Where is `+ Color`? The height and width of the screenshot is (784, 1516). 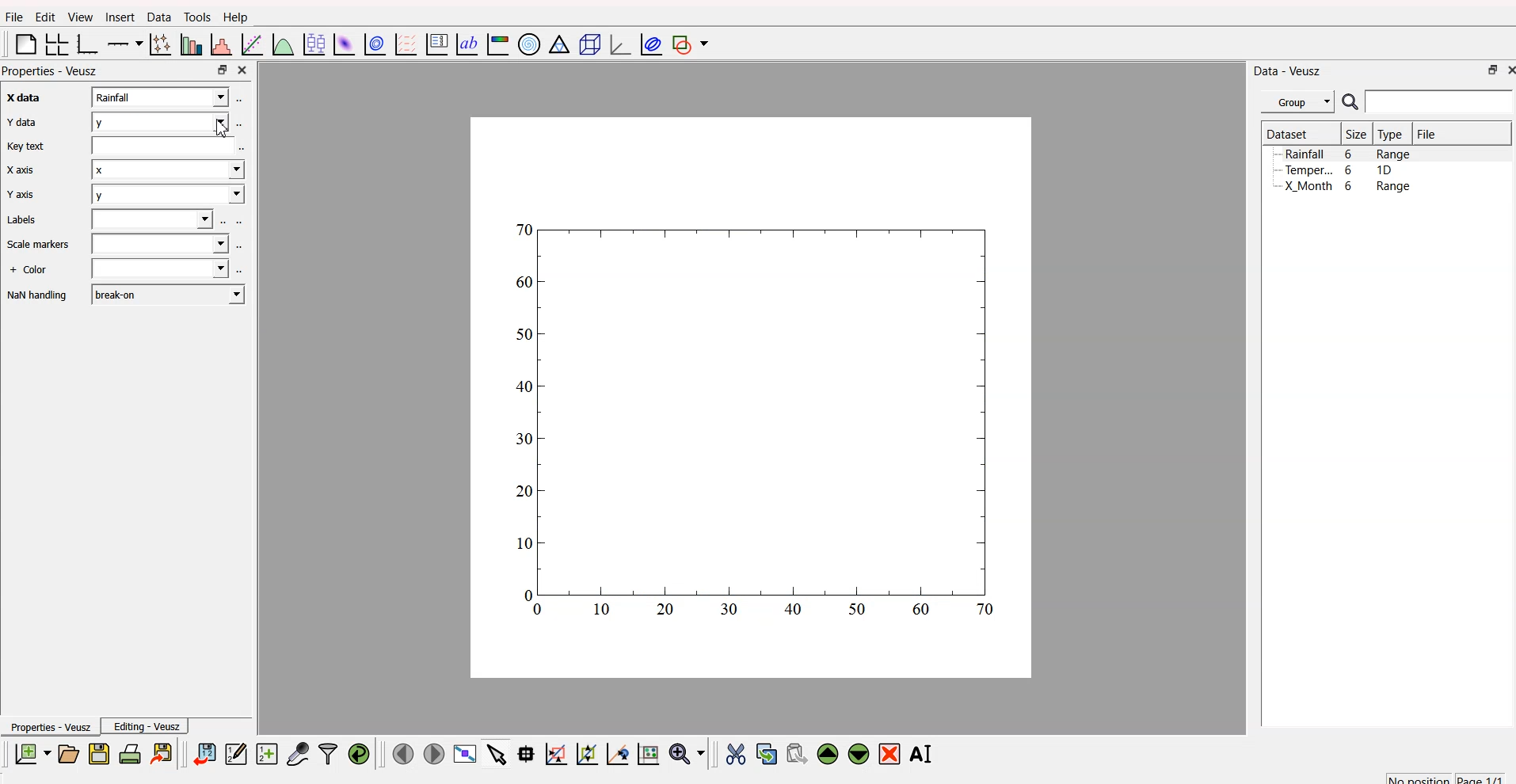
+ Color is located at coordinates (30, 271).